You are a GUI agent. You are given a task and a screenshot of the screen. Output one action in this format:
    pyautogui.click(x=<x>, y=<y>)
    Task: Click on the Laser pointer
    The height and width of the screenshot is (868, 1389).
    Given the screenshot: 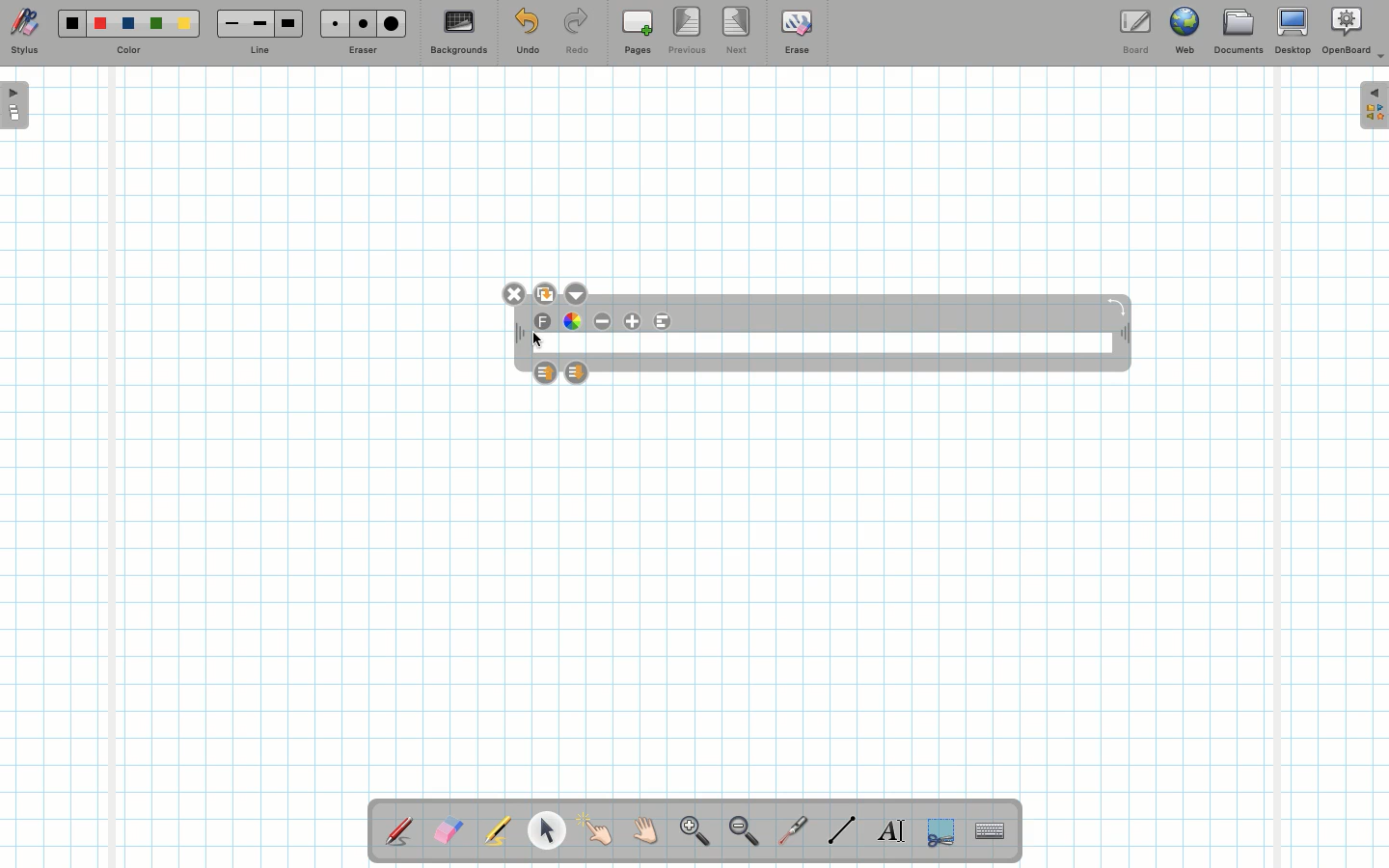 What is the action you would take?
    pyautogui.click(x=789, y=831)
    